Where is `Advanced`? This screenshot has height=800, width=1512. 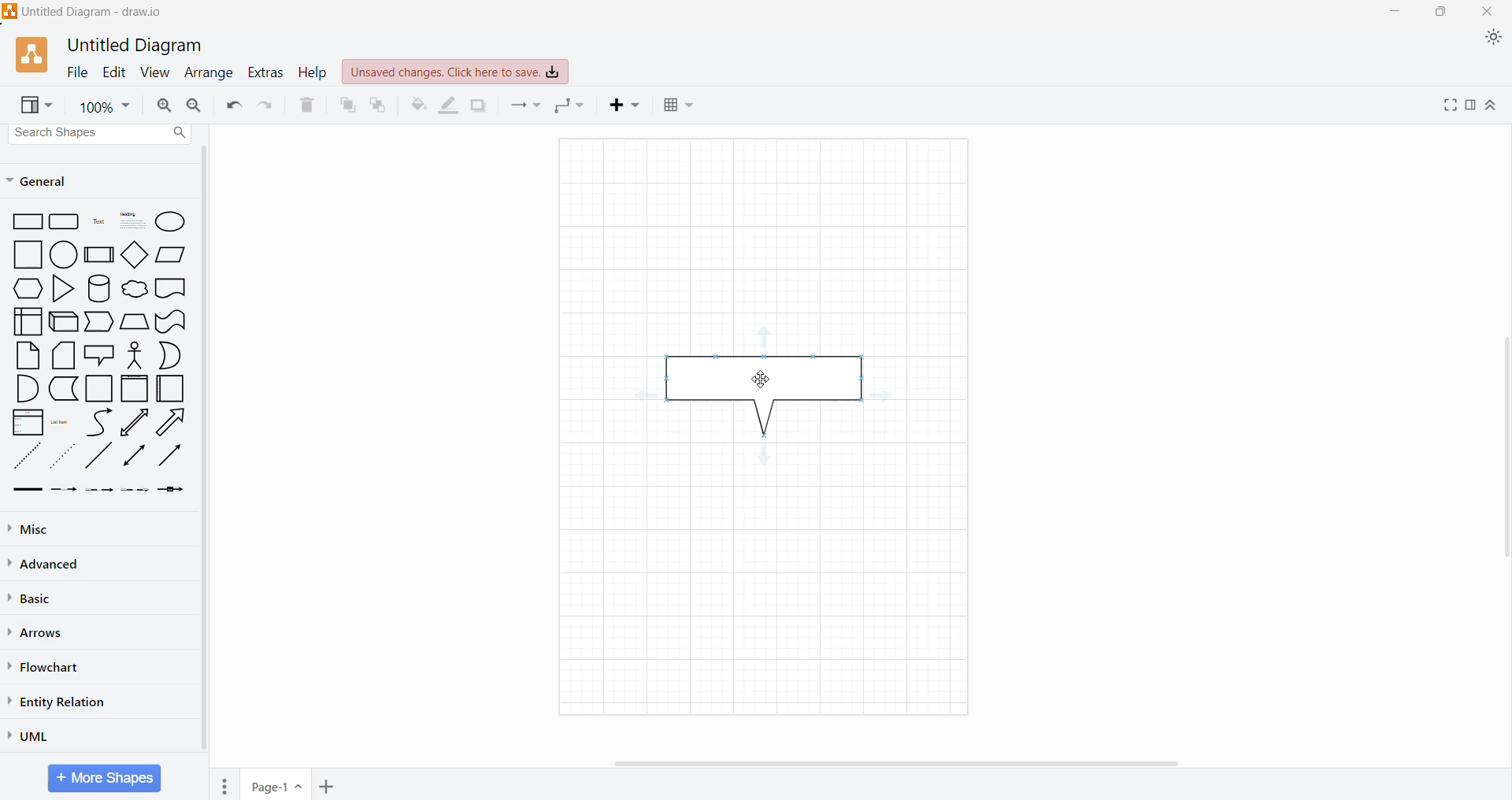 Advanced is located at coordinates (47, 564).